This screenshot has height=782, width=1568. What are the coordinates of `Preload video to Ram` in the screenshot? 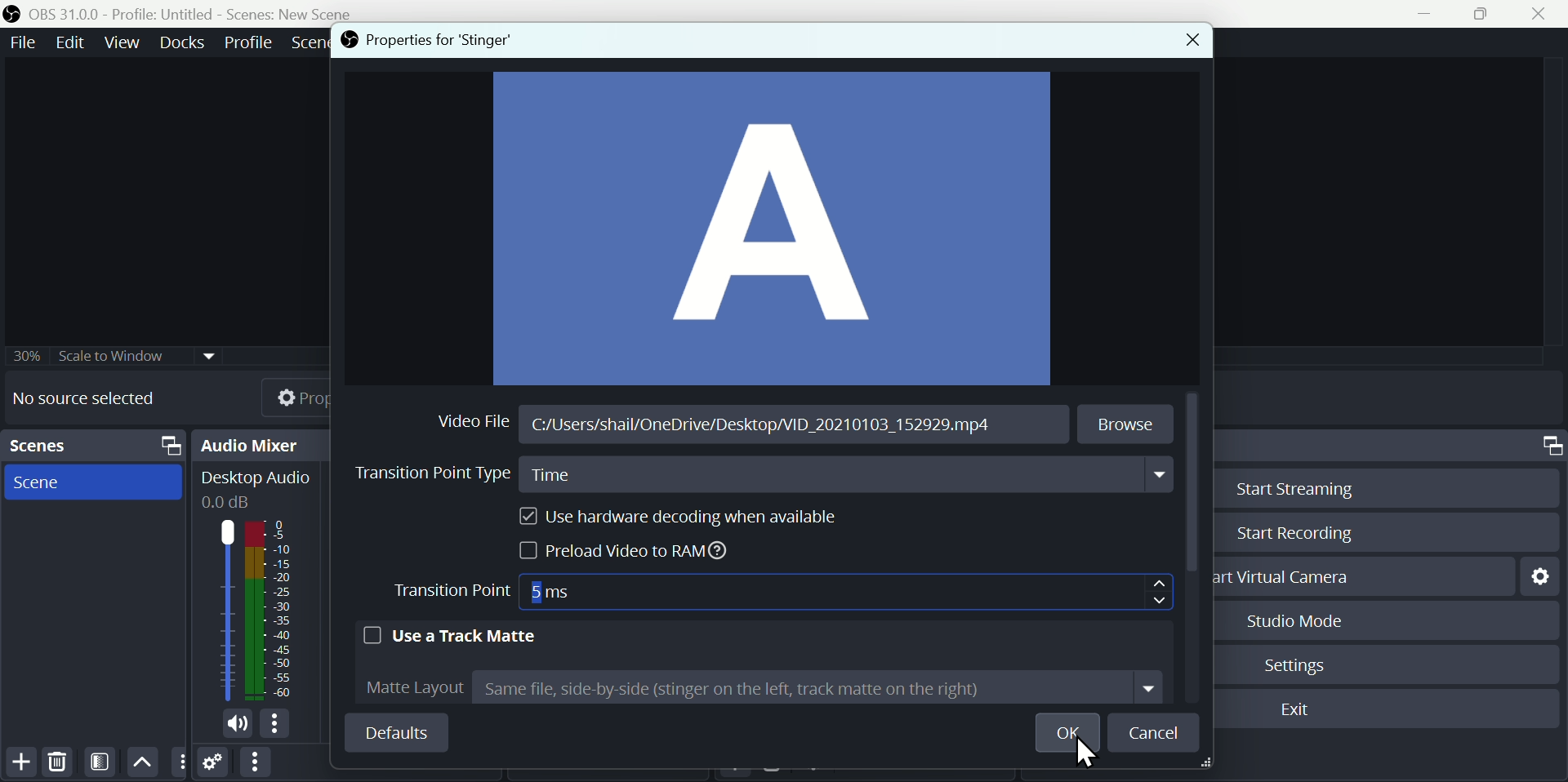 It's located at (630, 553).